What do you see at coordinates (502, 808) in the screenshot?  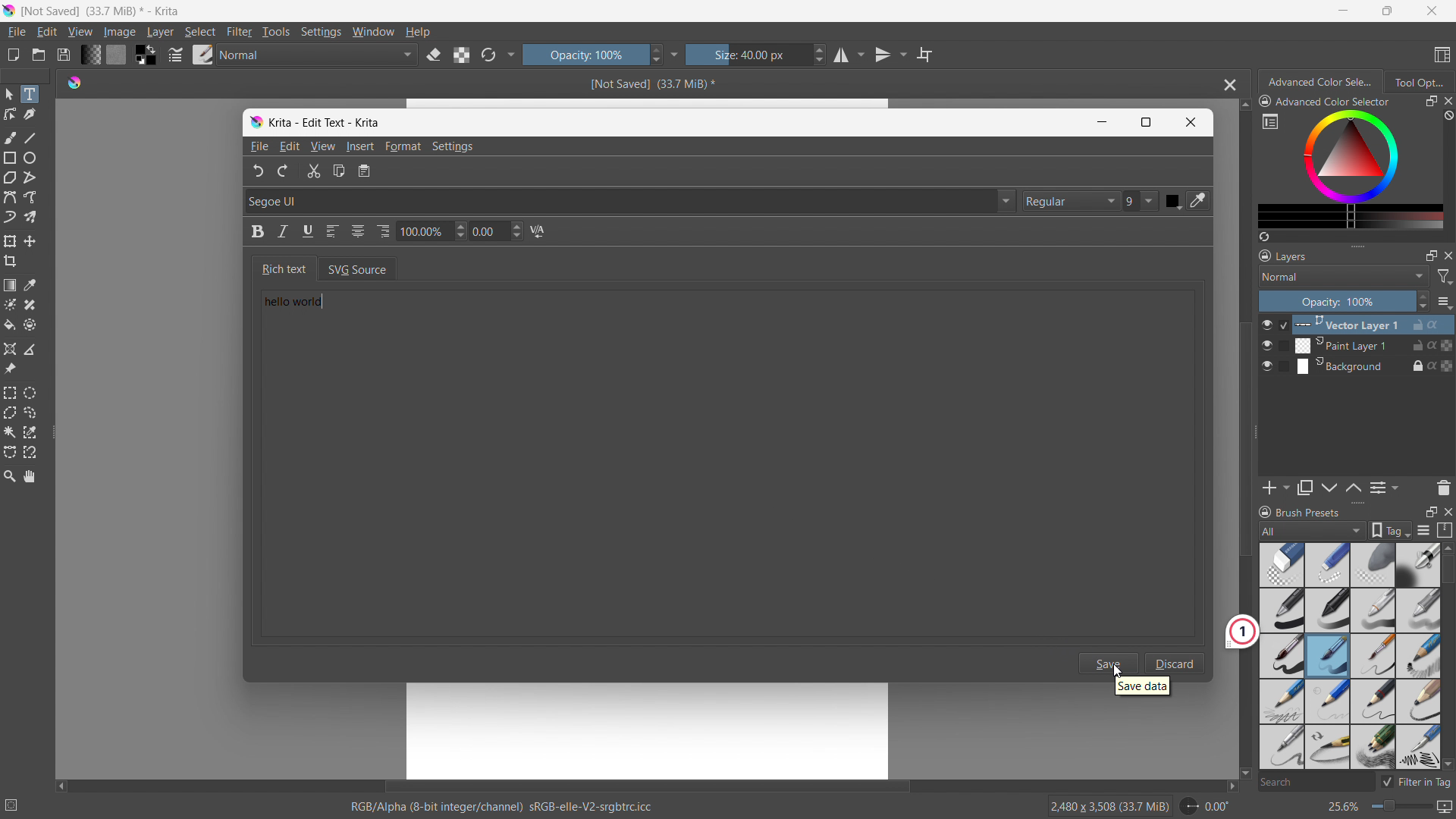 I see `RGB/ Alpha (8- bit integer/ channel)` at bounding box center [502, 808].